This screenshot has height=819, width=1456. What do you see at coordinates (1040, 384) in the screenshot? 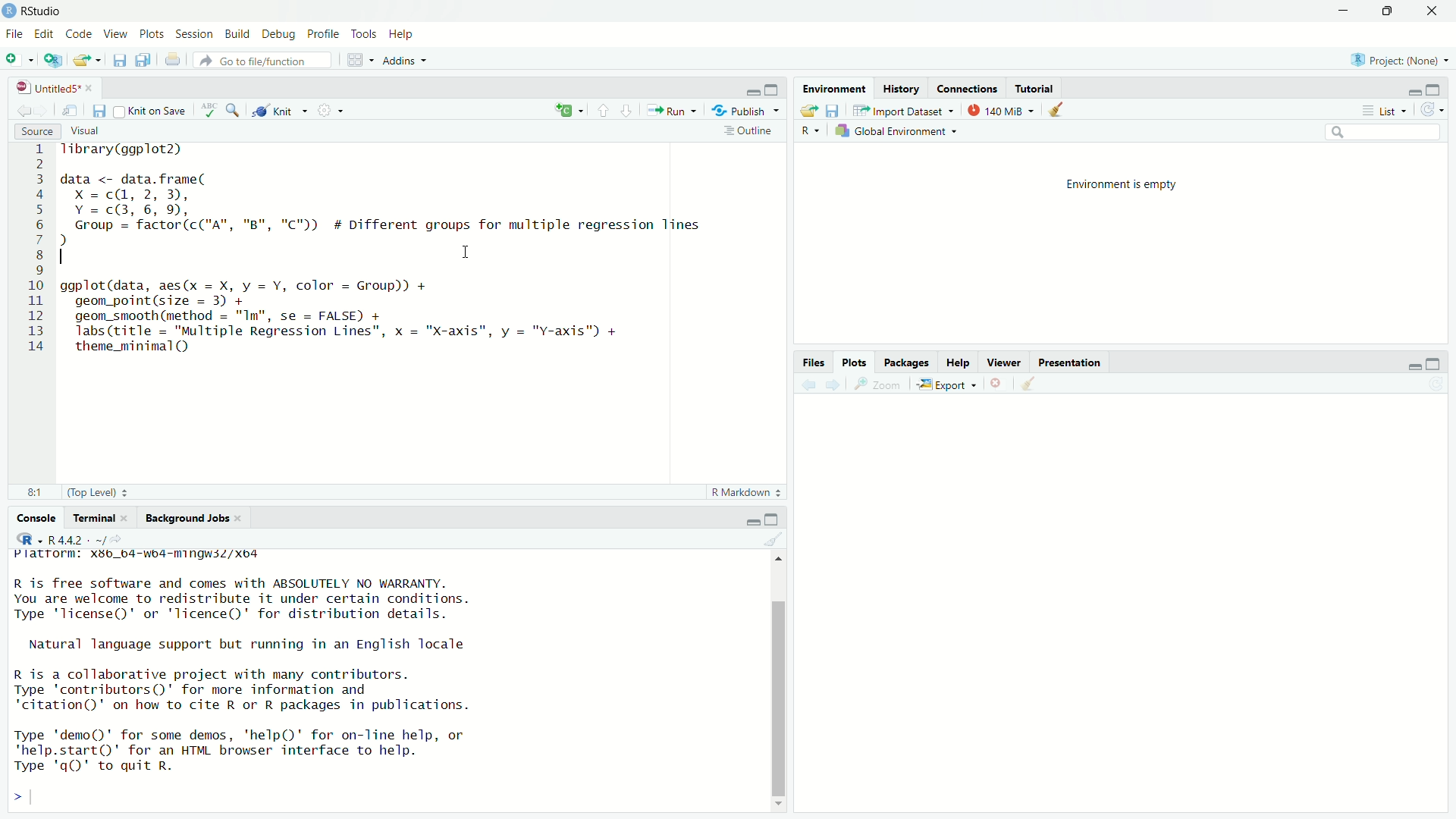
I see `clear` at bounding box center [1040, 384].